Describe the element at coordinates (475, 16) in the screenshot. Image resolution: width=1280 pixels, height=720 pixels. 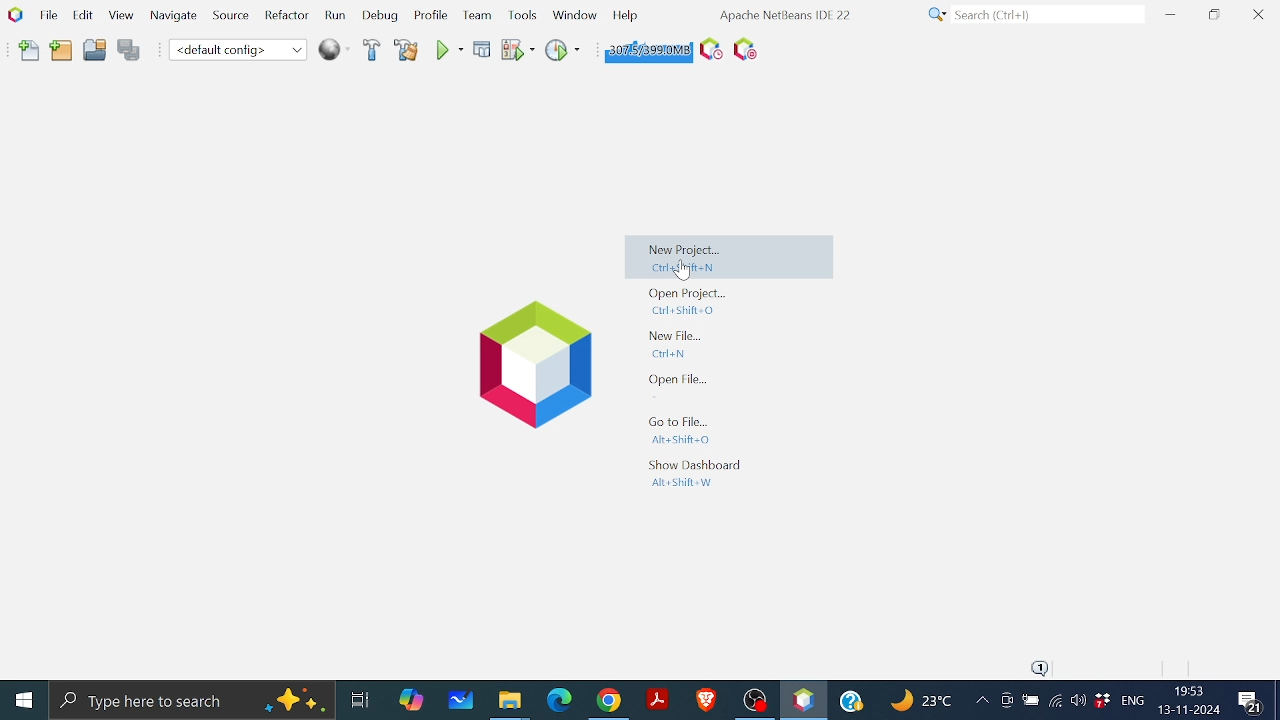
I see `Team` at that location.